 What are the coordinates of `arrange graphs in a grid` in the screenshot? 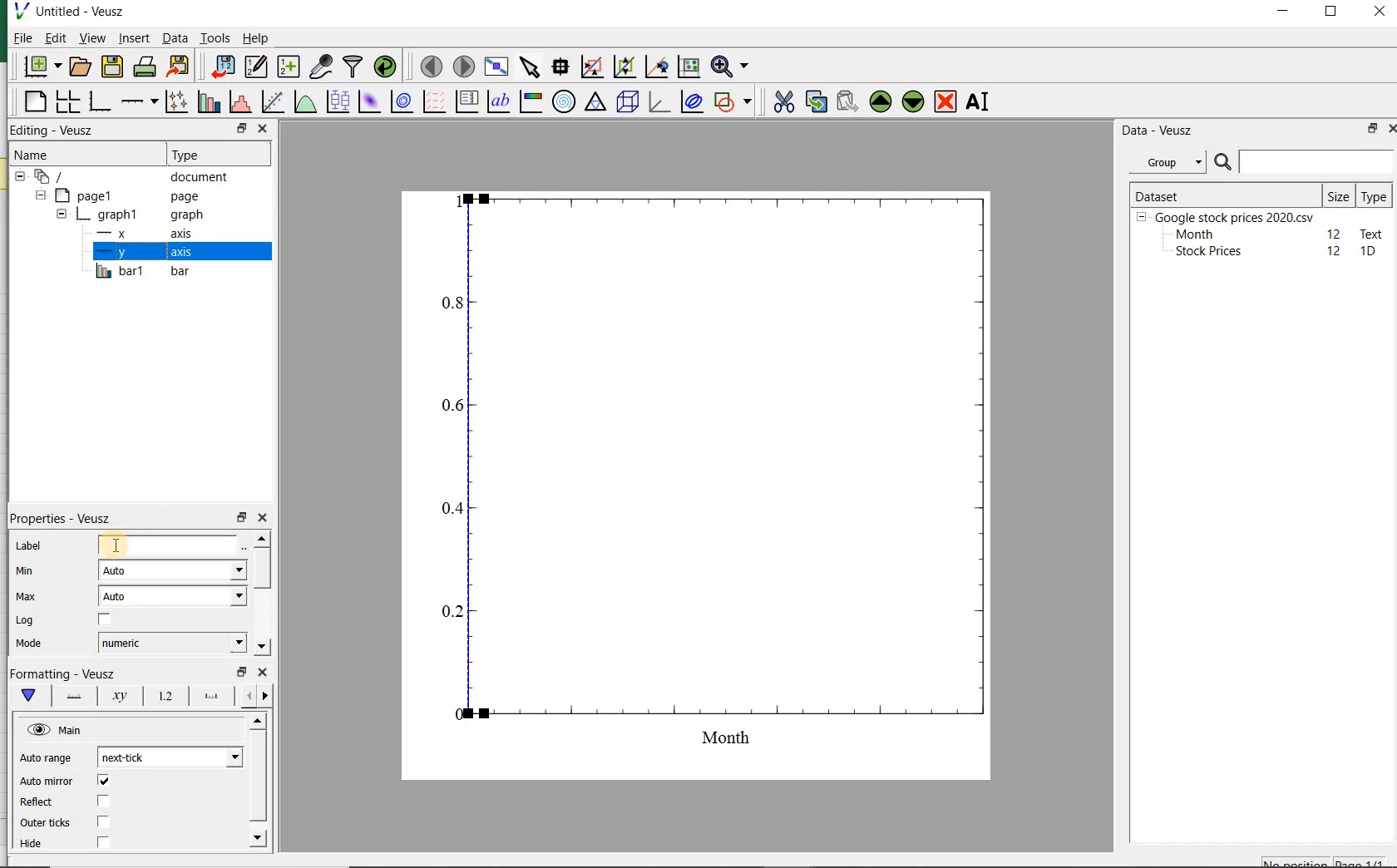 It's located at (66, 102).